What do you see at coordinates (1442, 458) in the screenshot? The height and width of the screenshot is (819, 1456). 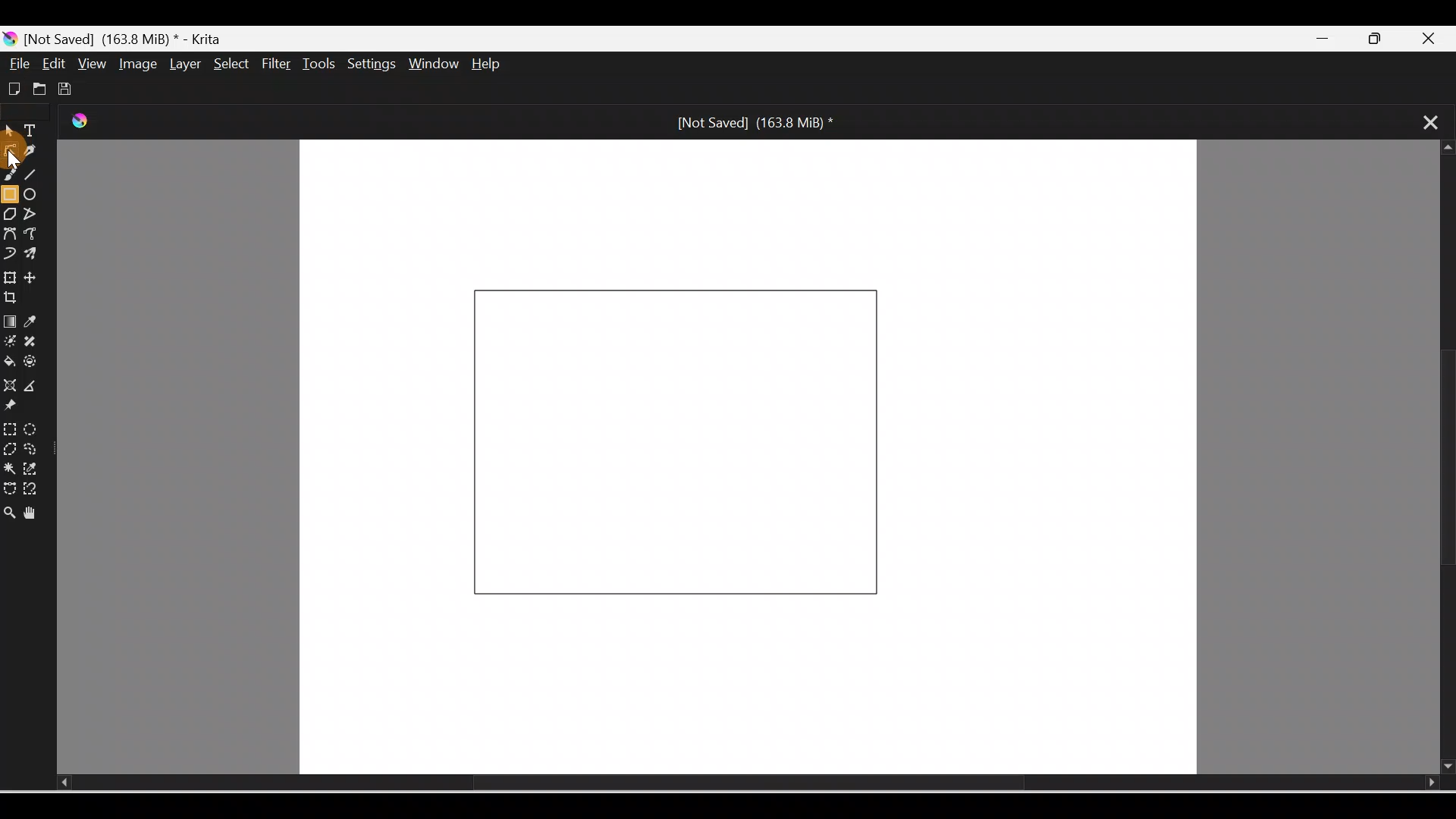 I see `Scroll bar` at bounding box center [1442, 458].